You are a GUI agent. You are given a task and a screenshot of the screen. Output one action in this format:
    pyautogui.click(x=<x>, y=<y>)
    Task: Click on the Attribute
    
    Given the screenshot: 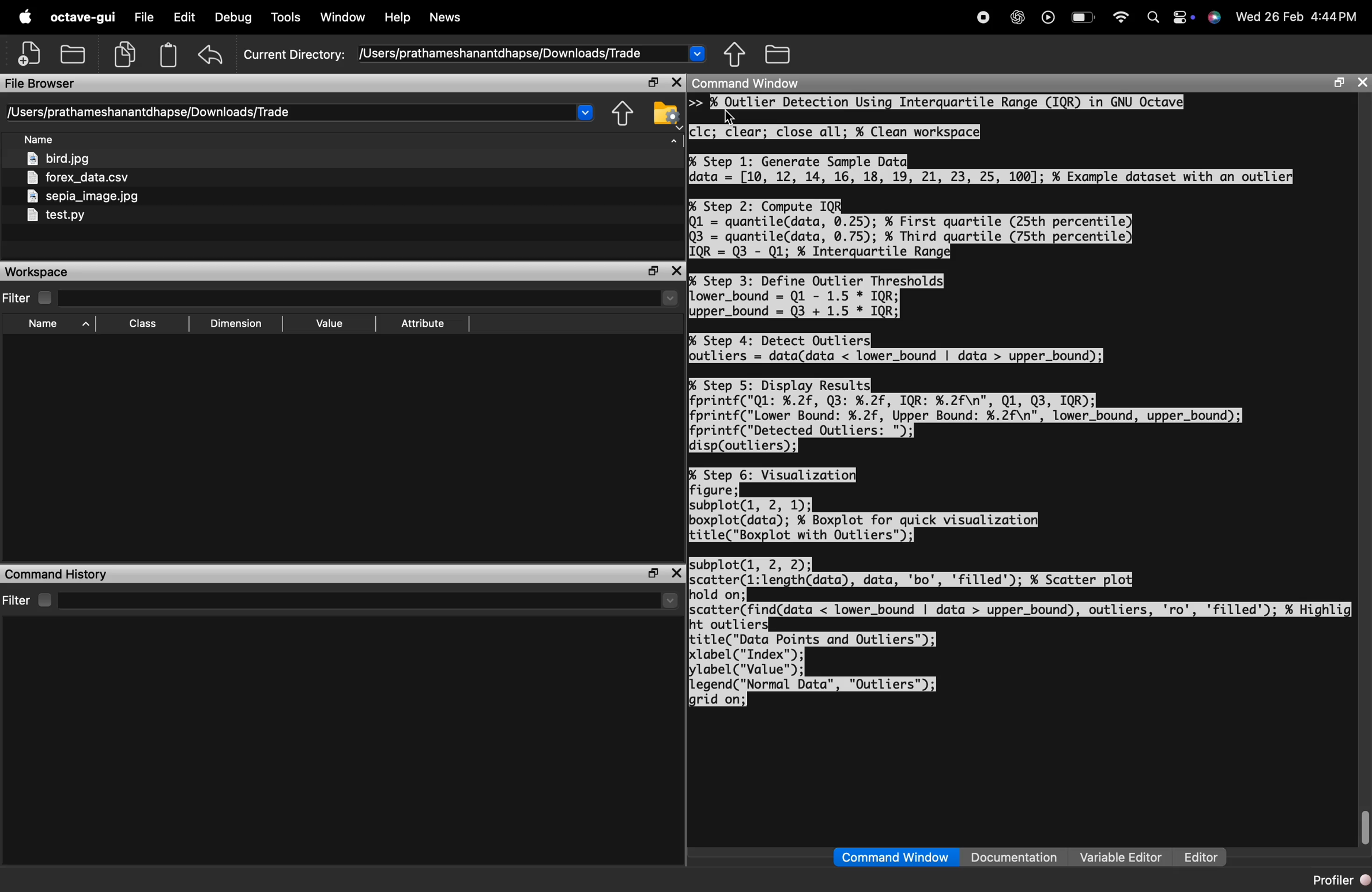 What is the action you would take?
    pyautogui.click(x=424, y=324)
    